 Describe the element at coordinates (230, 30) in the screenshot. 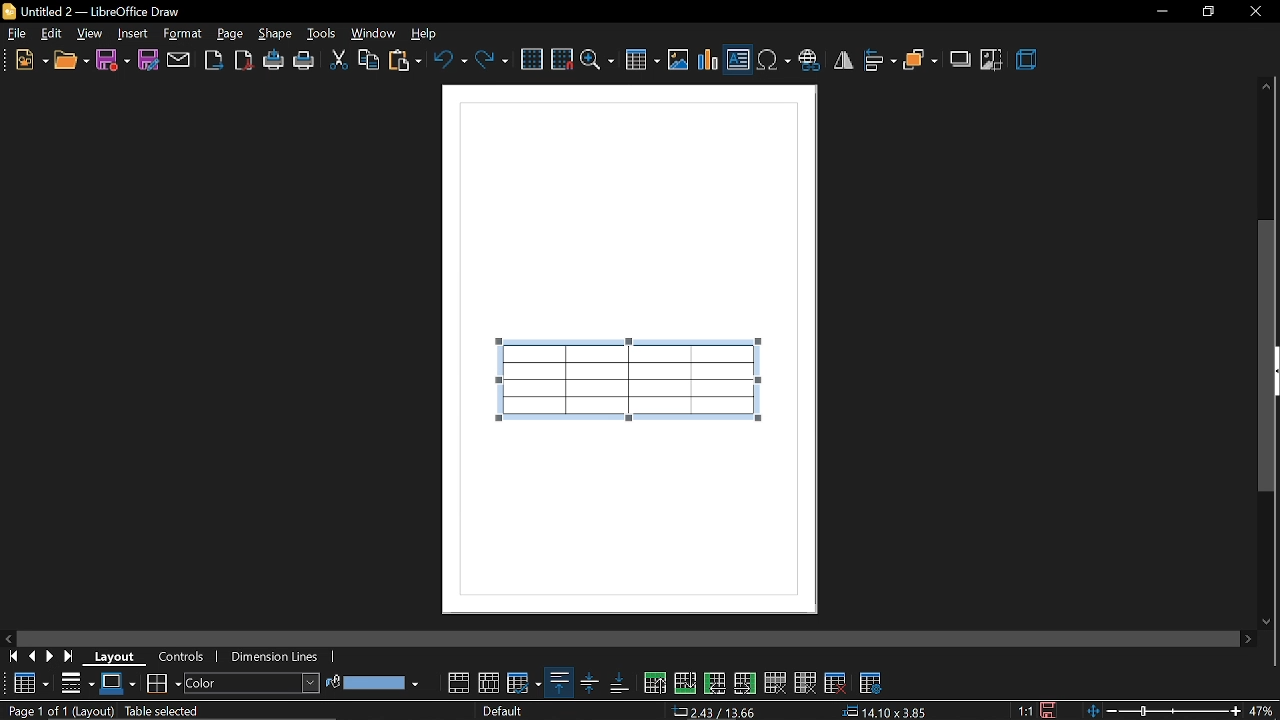

I see `page` at that location.